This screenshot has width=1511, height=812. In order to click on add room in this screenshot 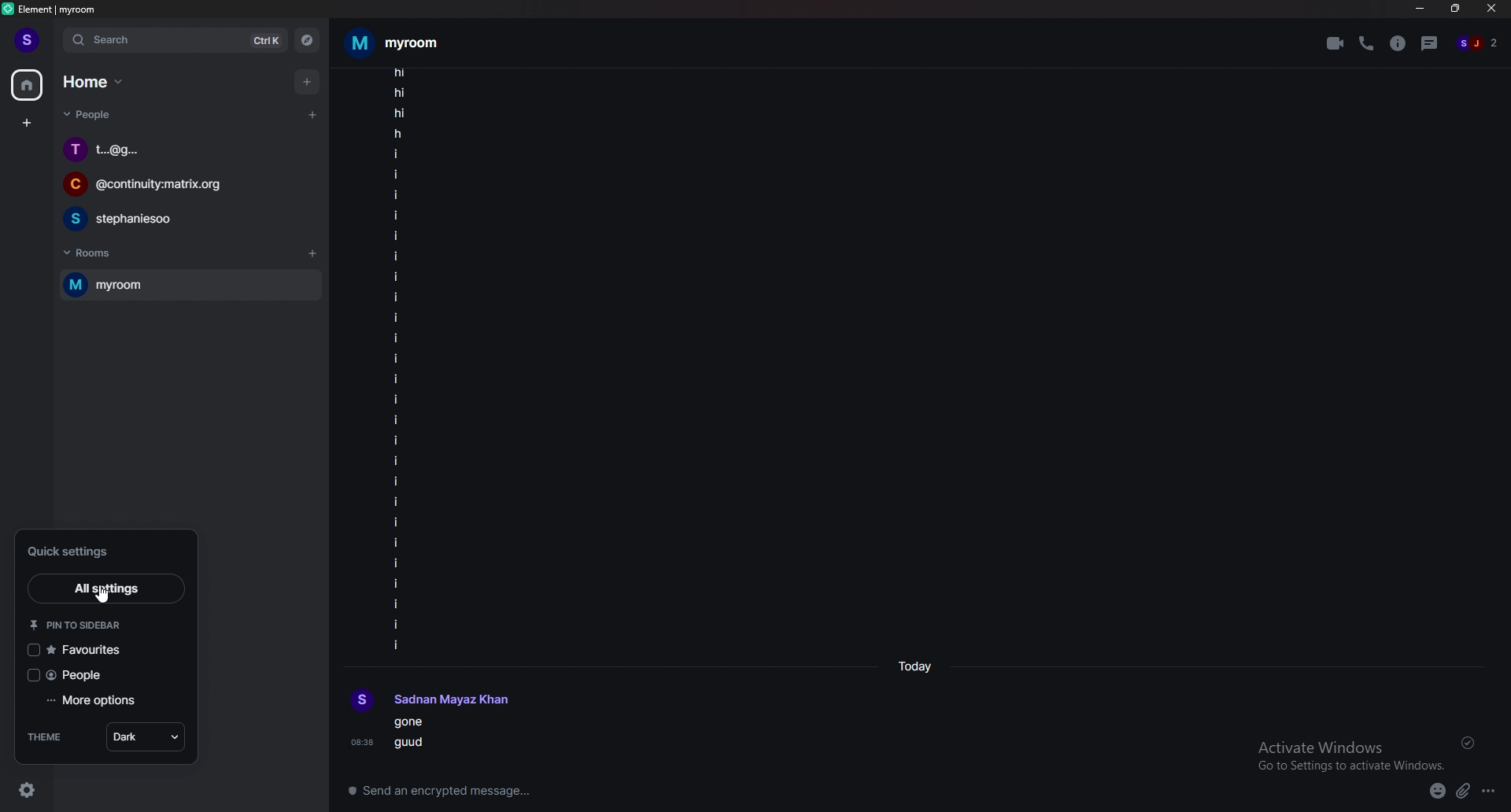, I will do `click(312, 253)`.